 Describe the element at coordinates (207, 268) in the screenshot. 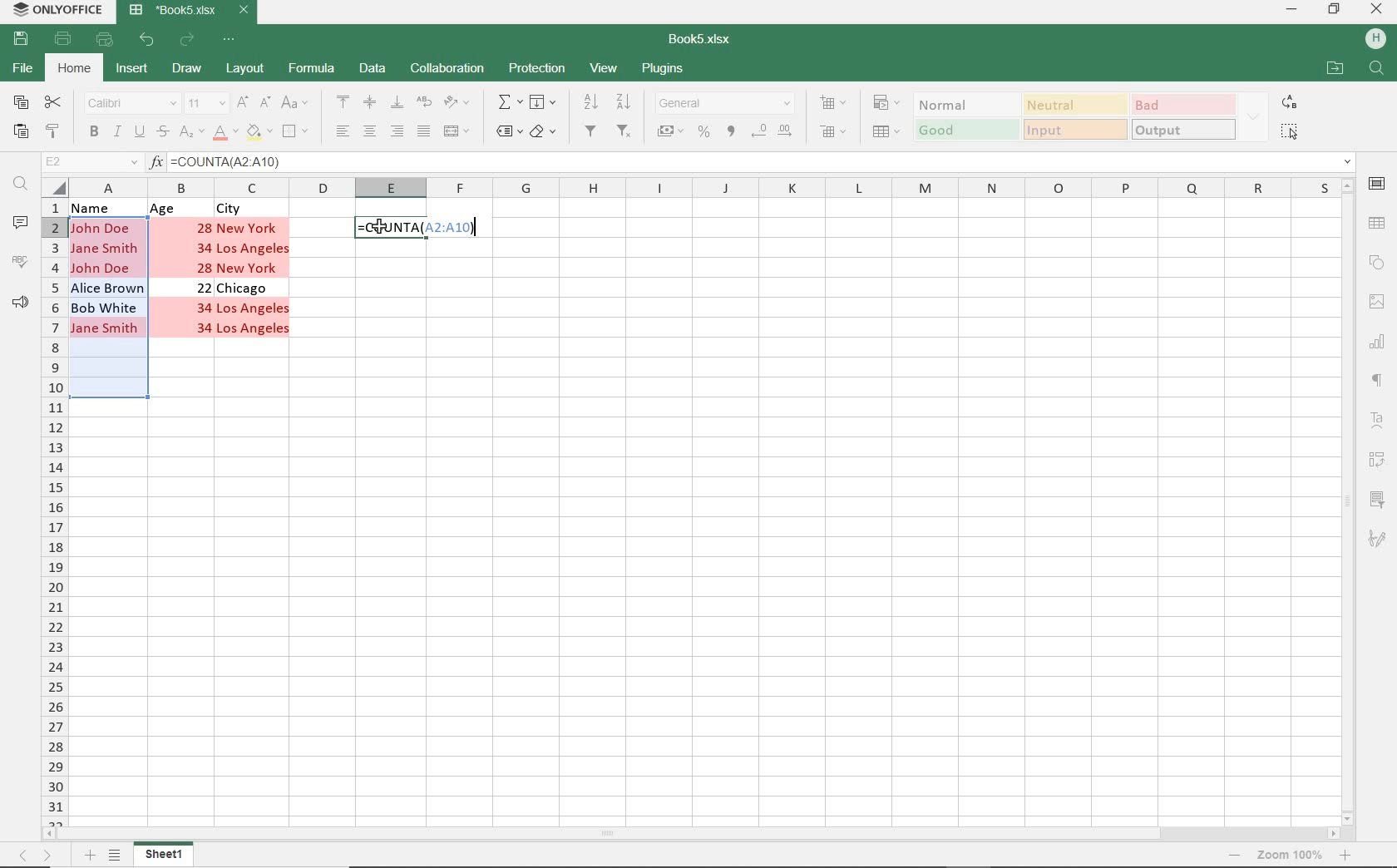

I see `28` at that location.